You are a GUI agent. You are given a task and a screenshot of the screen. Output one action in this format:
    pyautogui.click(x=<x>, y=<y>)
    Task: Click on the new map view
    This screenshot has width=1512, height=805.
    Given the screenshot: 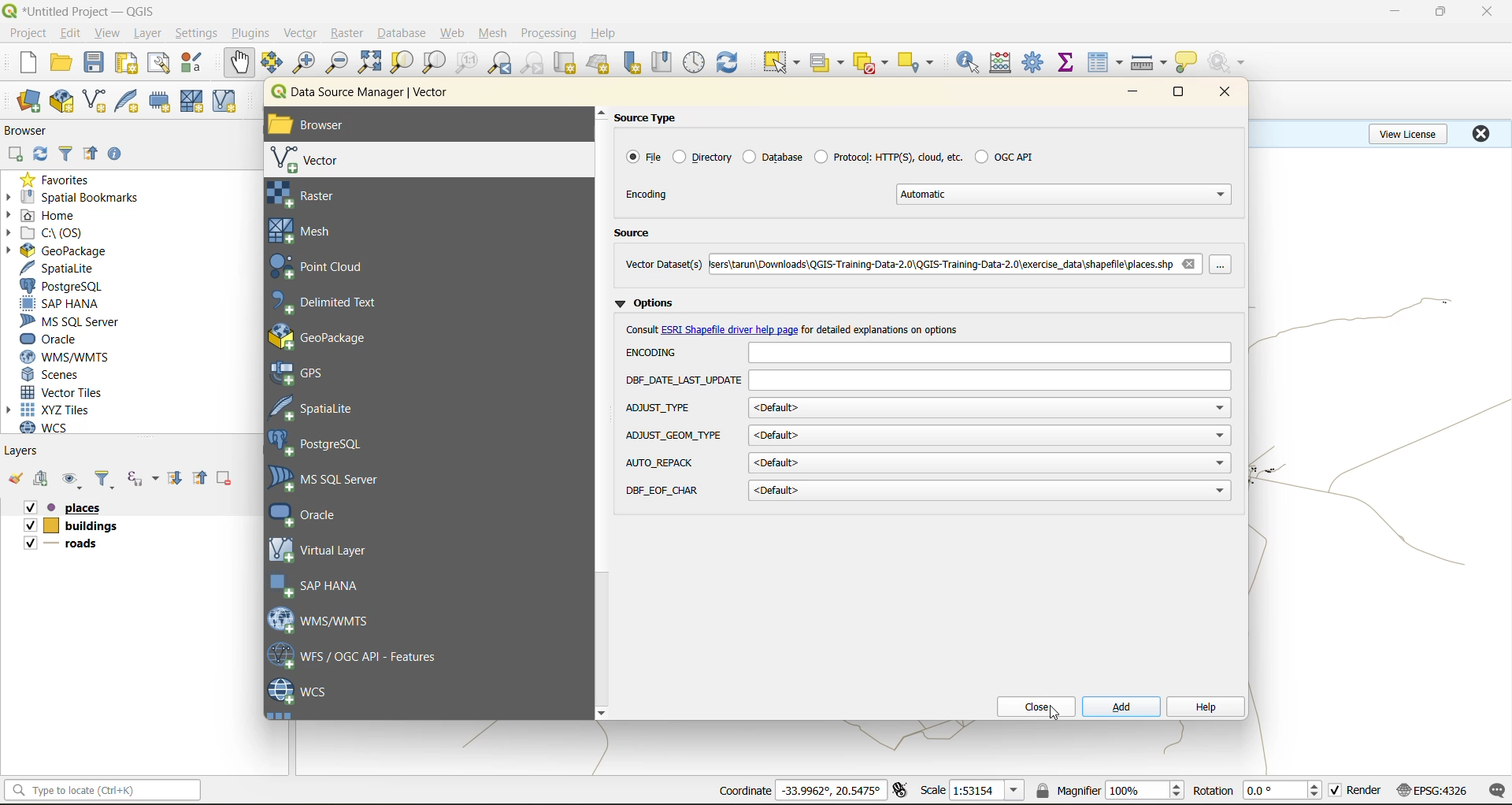 What is the action you would take?
    pyautogui.click(x=567, y=65)
    